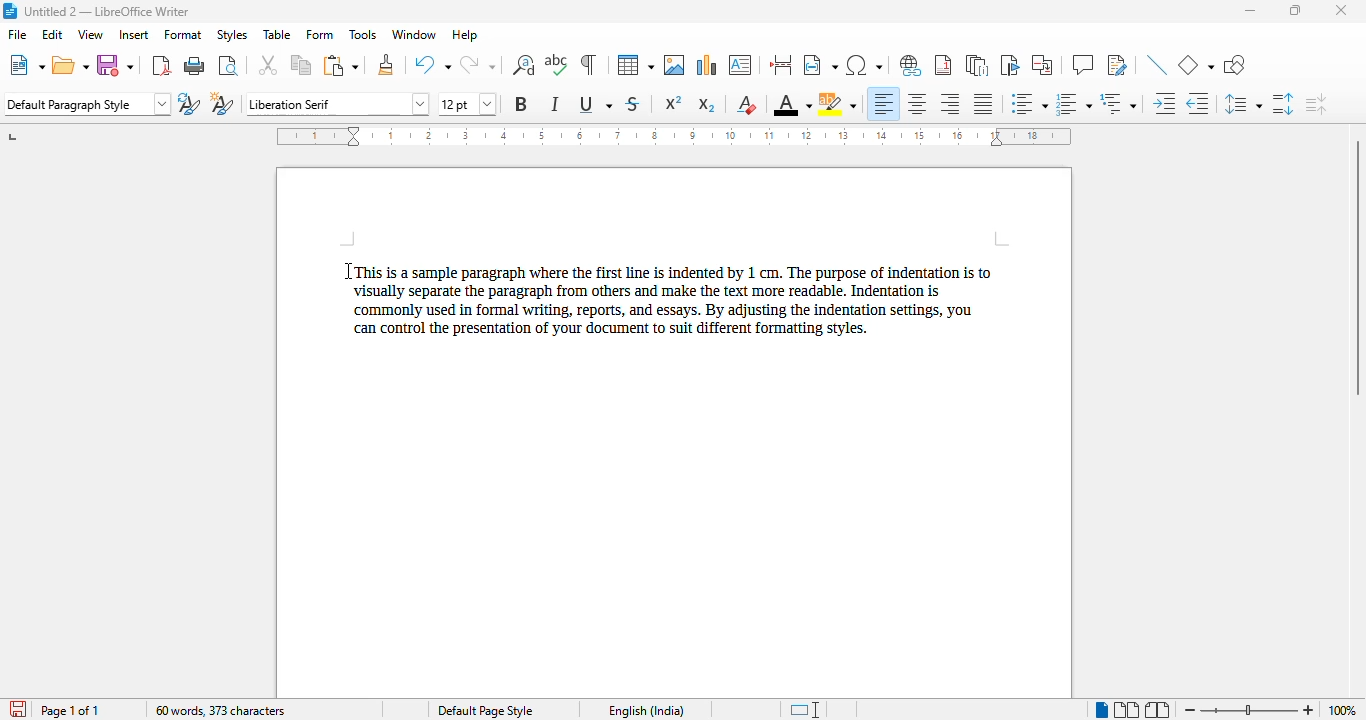 This screenshot has height=720, width=1366. I want to click on insert line, so click(1157, 64).